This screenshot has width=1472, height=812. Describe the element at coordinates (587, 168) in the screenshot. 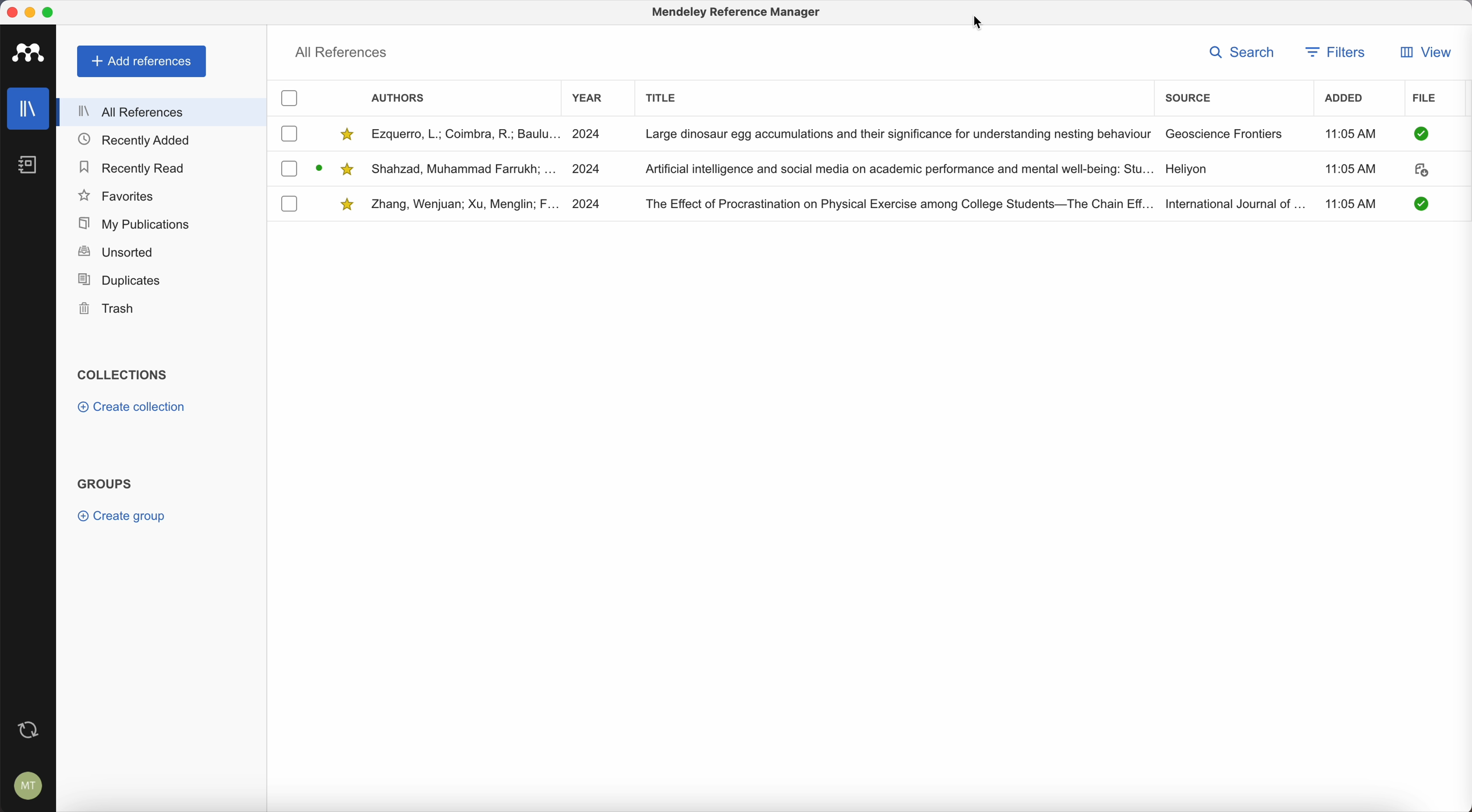

I see `2024` at that location.